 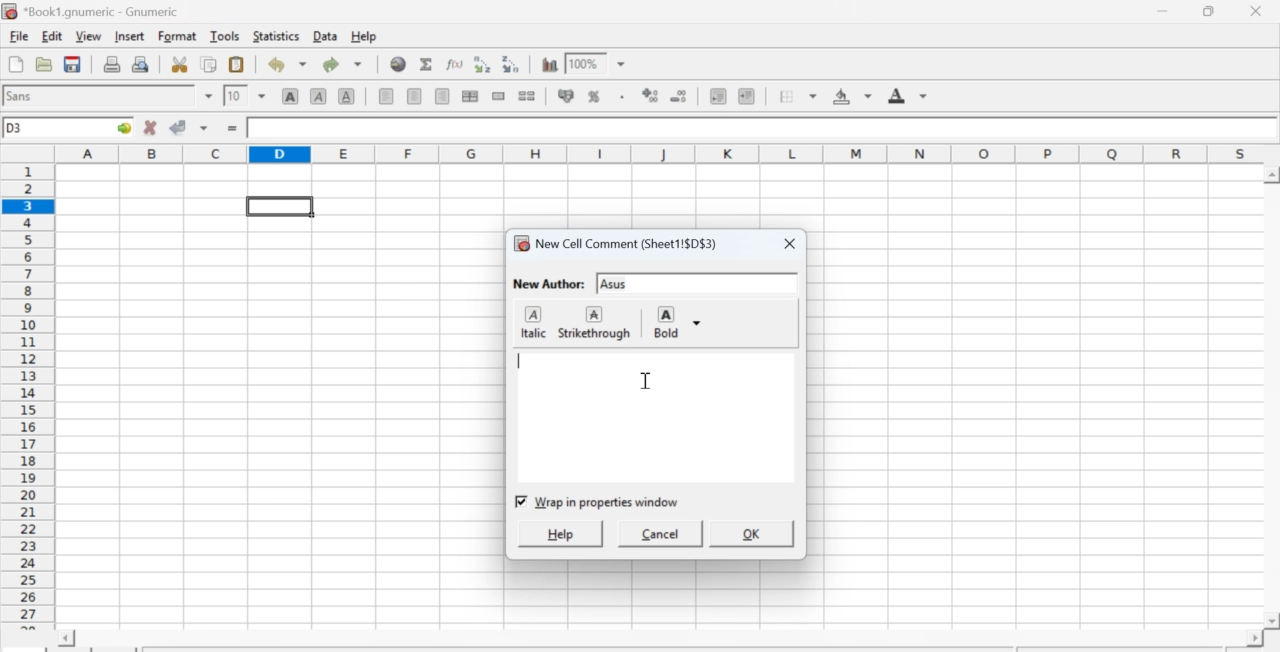 I want to click on Print preview, so click(x=144, y=64).